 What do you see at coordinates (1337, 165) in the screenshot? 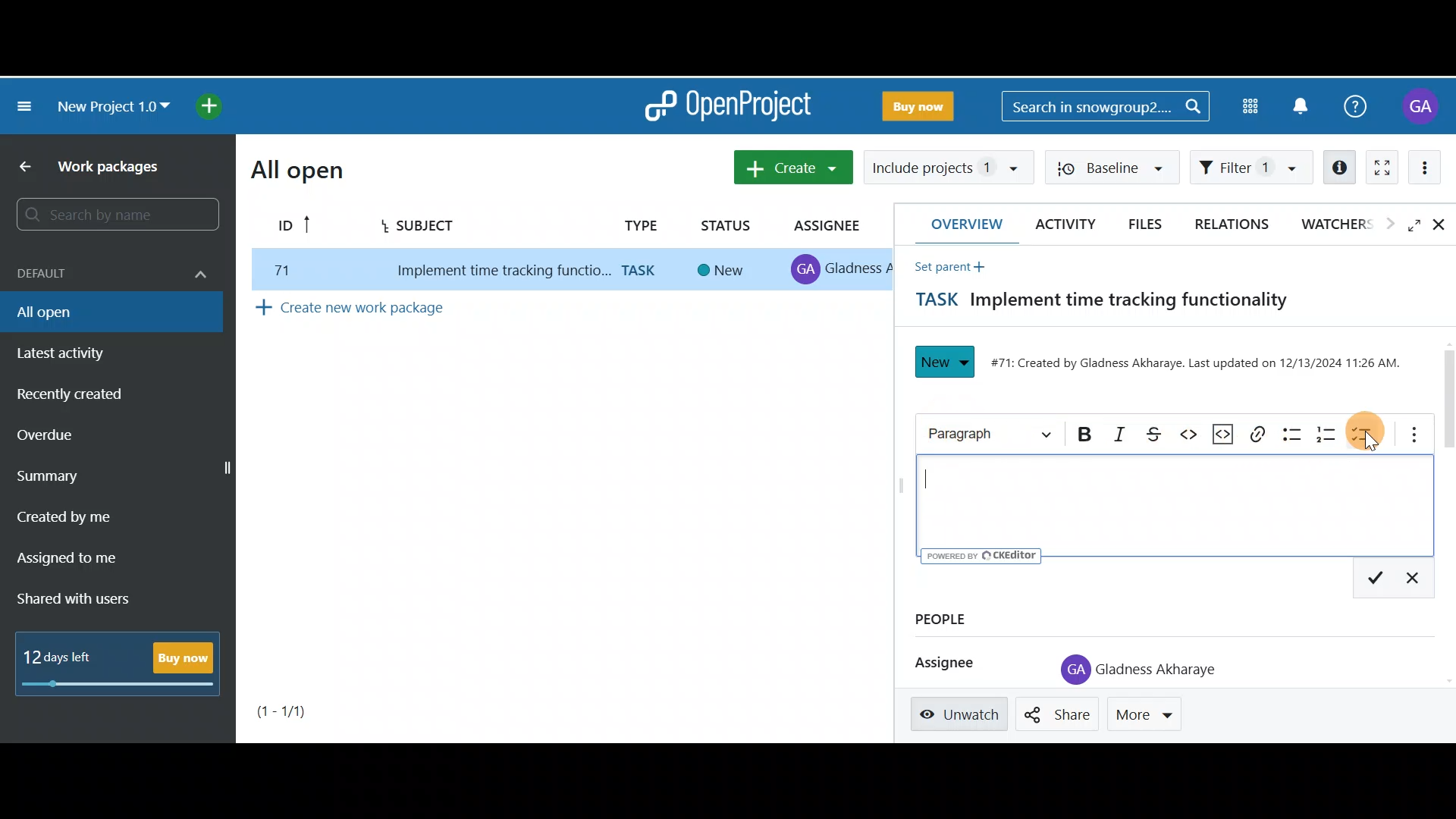
I see `Open details view` at bounding box center [1337, 165].